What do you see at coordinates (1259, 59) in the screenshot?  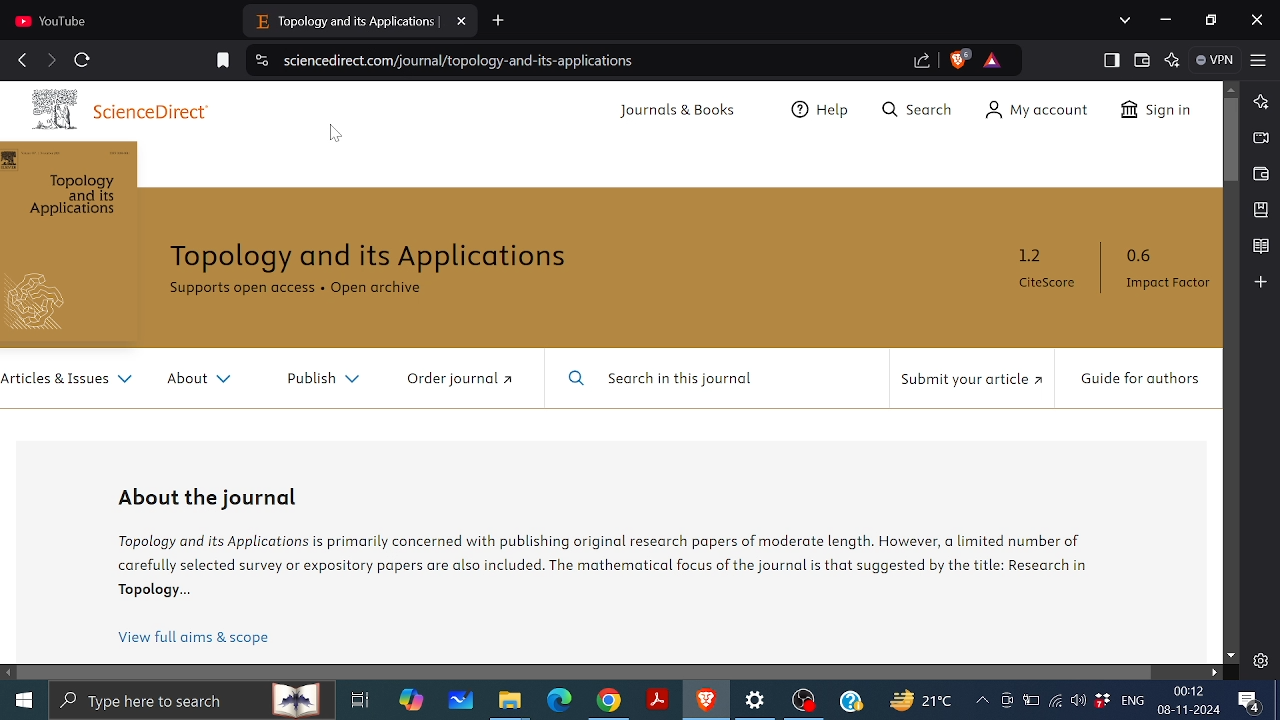 I see `Customize and control brave` at bounding box center [1259, 59].